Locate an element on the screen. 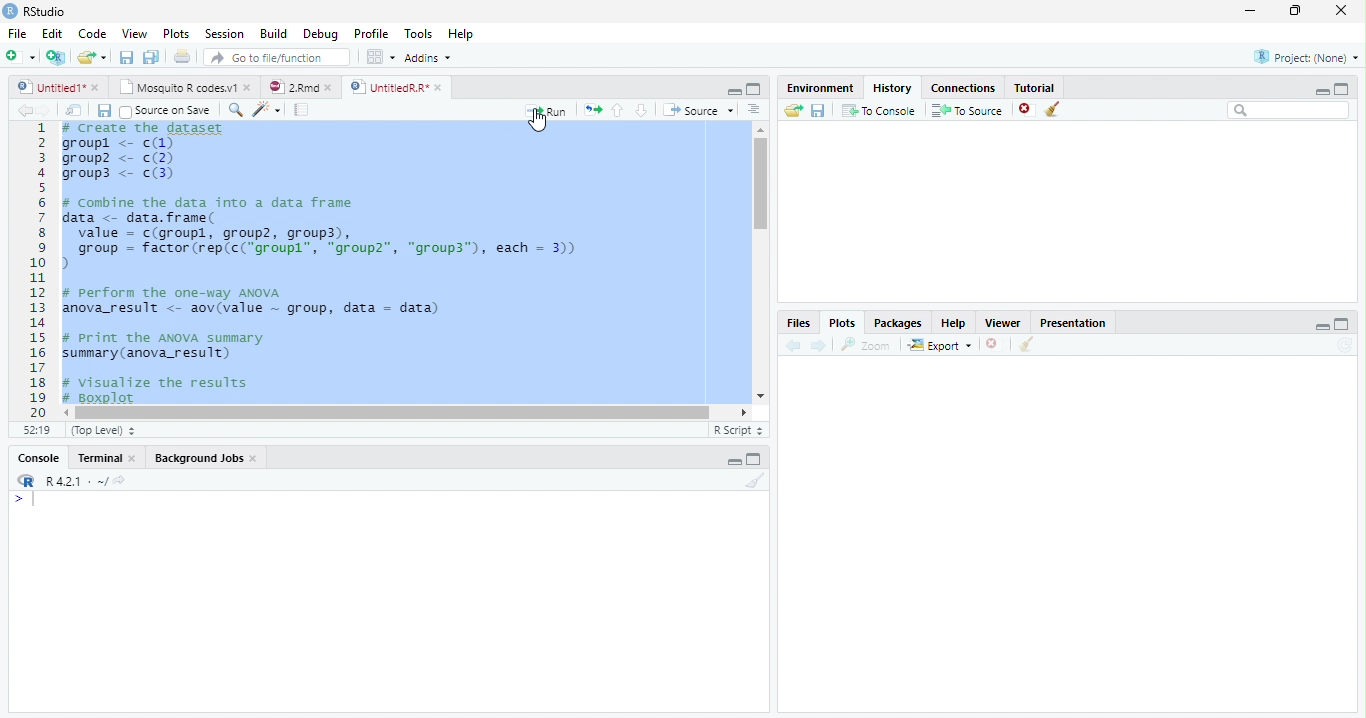 The width and height of the screenshot is (1366, 718). Alignment is located at coordinates (753, 111).